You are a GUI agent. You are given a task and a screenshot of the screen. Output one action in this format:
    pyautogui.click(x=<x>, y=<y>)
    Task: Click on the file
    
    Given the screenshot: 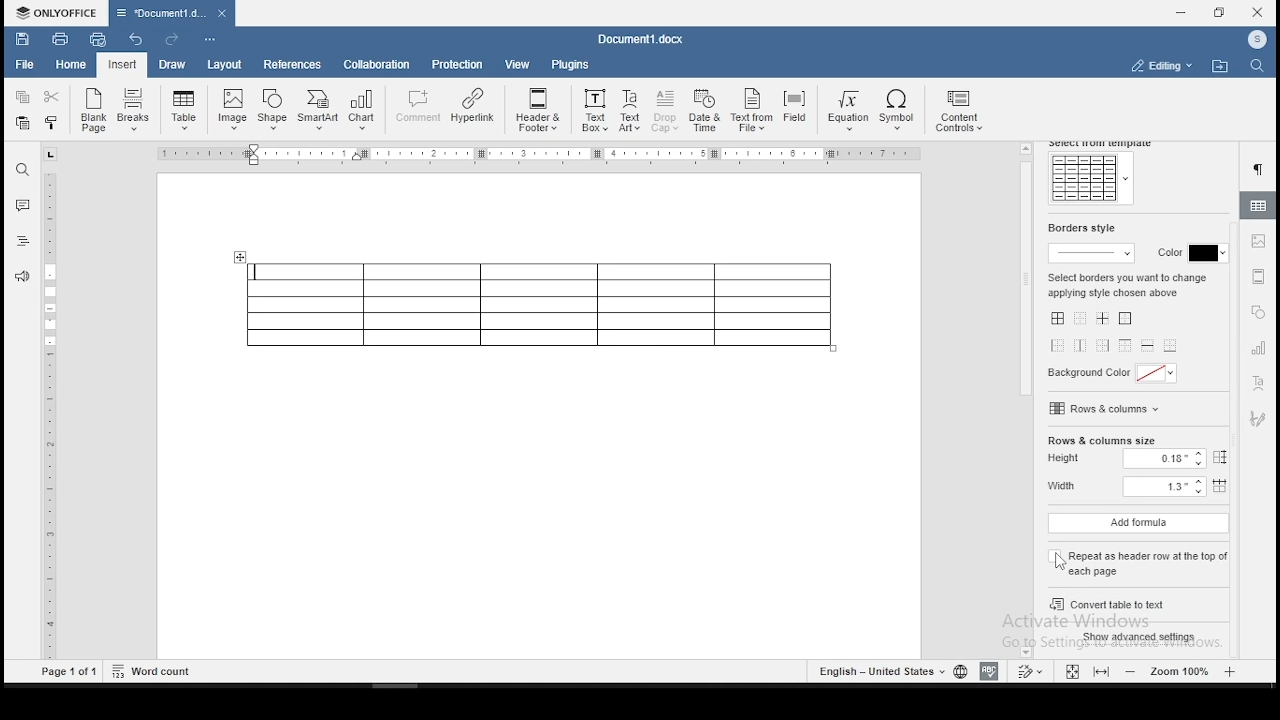 What is the action you would take?
    pyautogui.click(x=27, y=66)
    